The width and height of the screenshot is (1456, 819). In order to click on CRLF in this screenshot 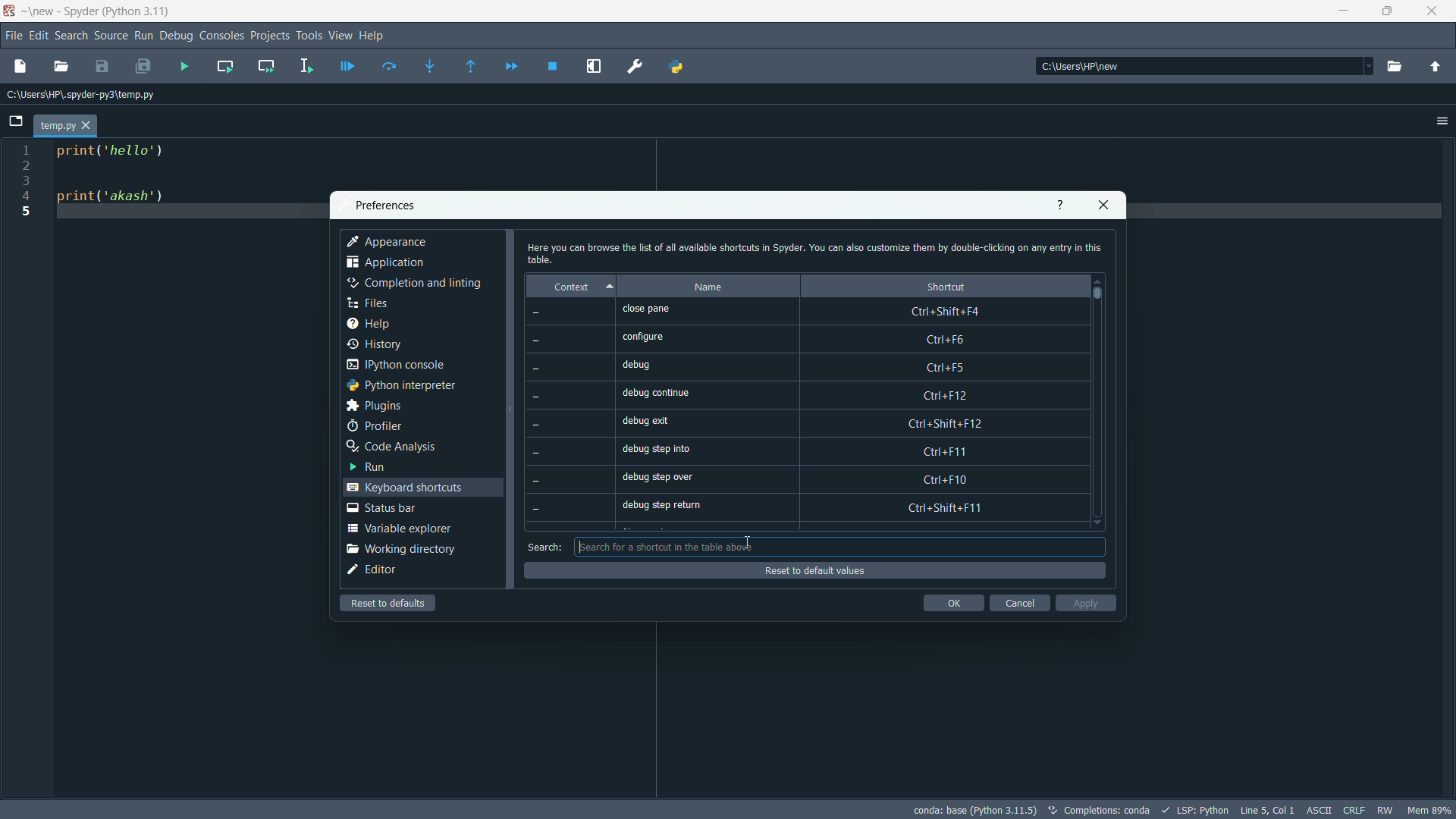, I will do `click(1353, 808)`.